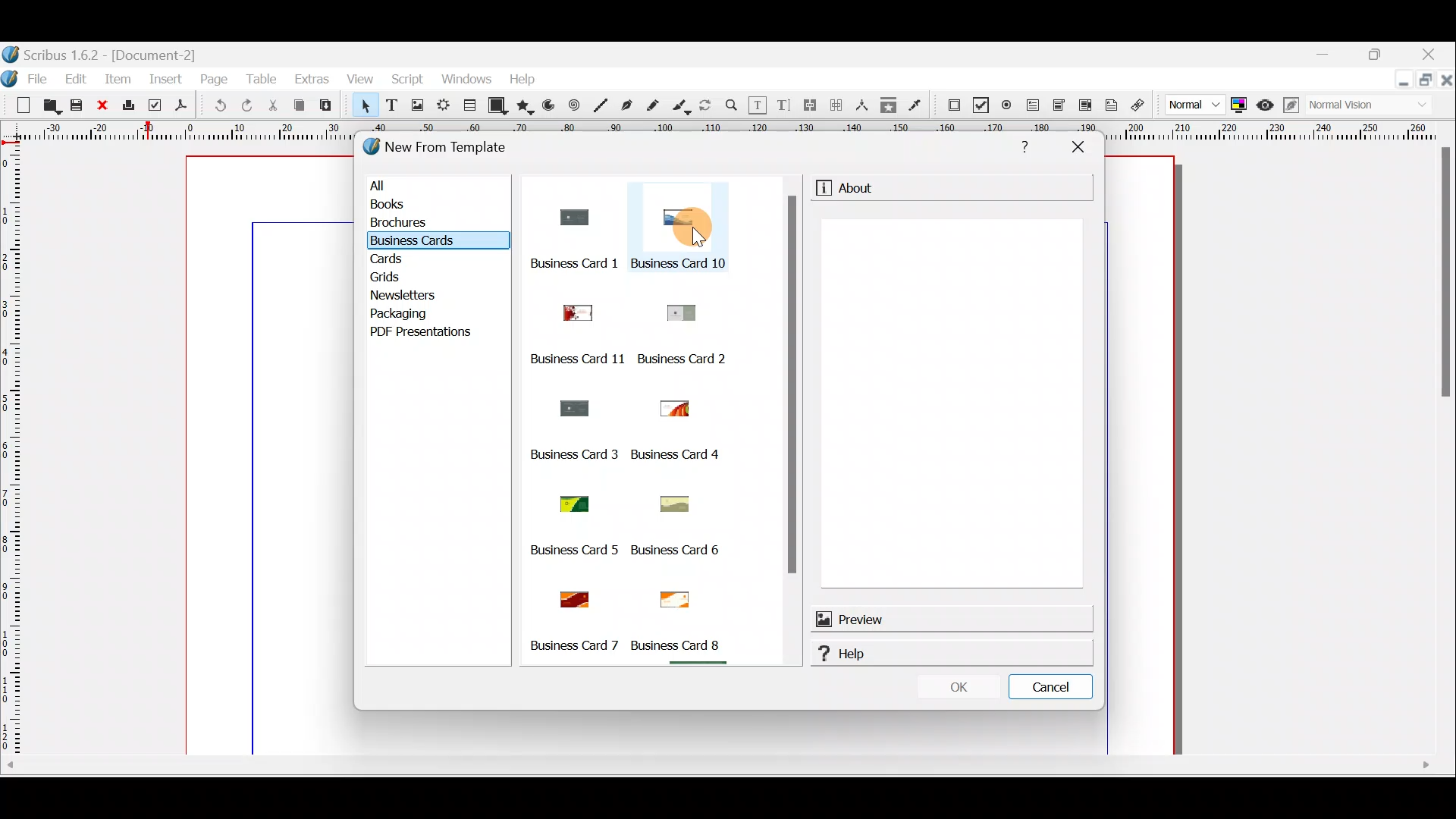 Image resolution: width=1456 pixels, height=819 pixels. I want to click on Books, so click(431, 206).